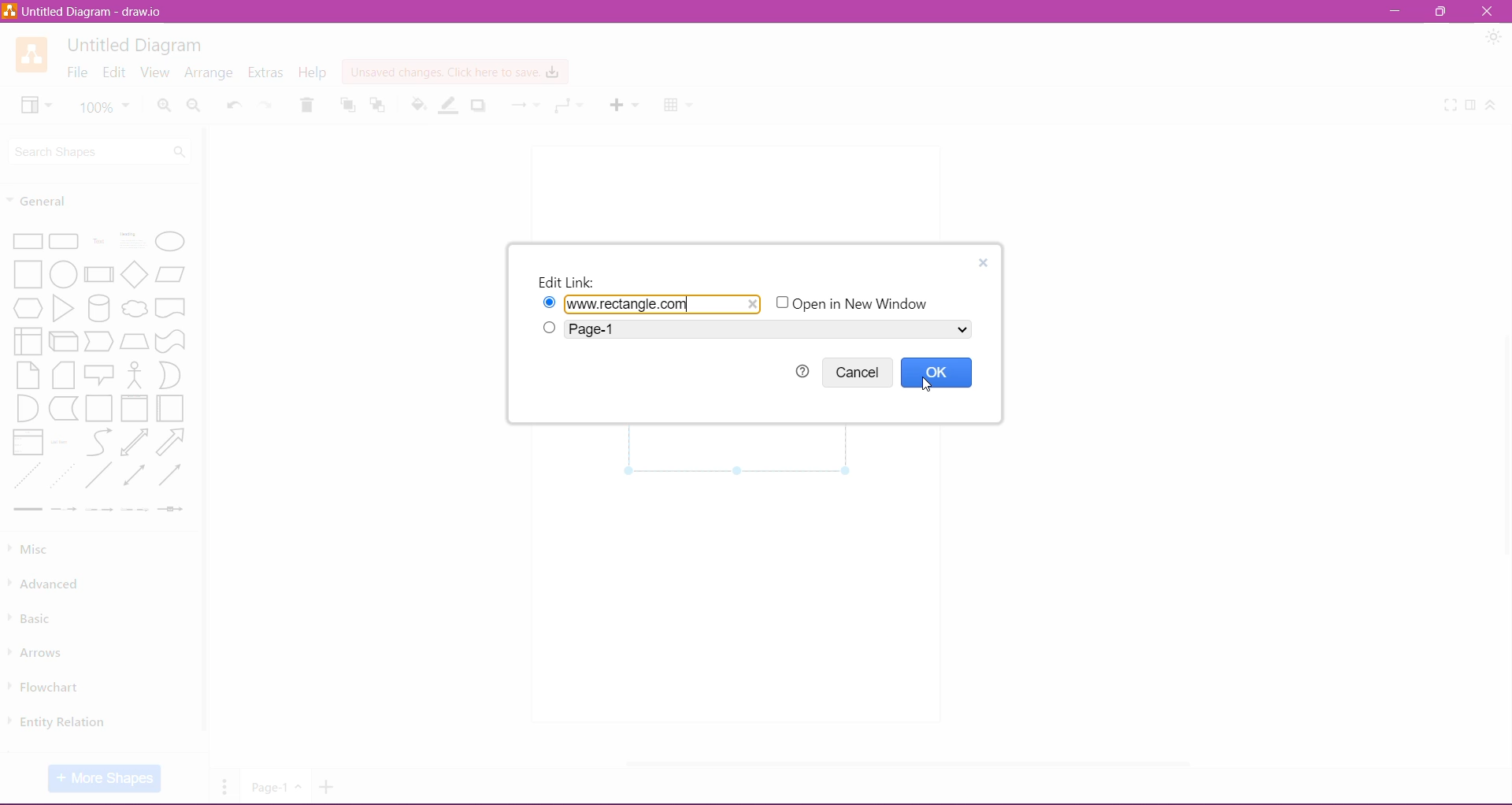 The width and height of the screenshot is (1512, 805). What do you see at coordinates (235, 102) in the screenshot?
I see `Undo` at bounding box center [235, 102].